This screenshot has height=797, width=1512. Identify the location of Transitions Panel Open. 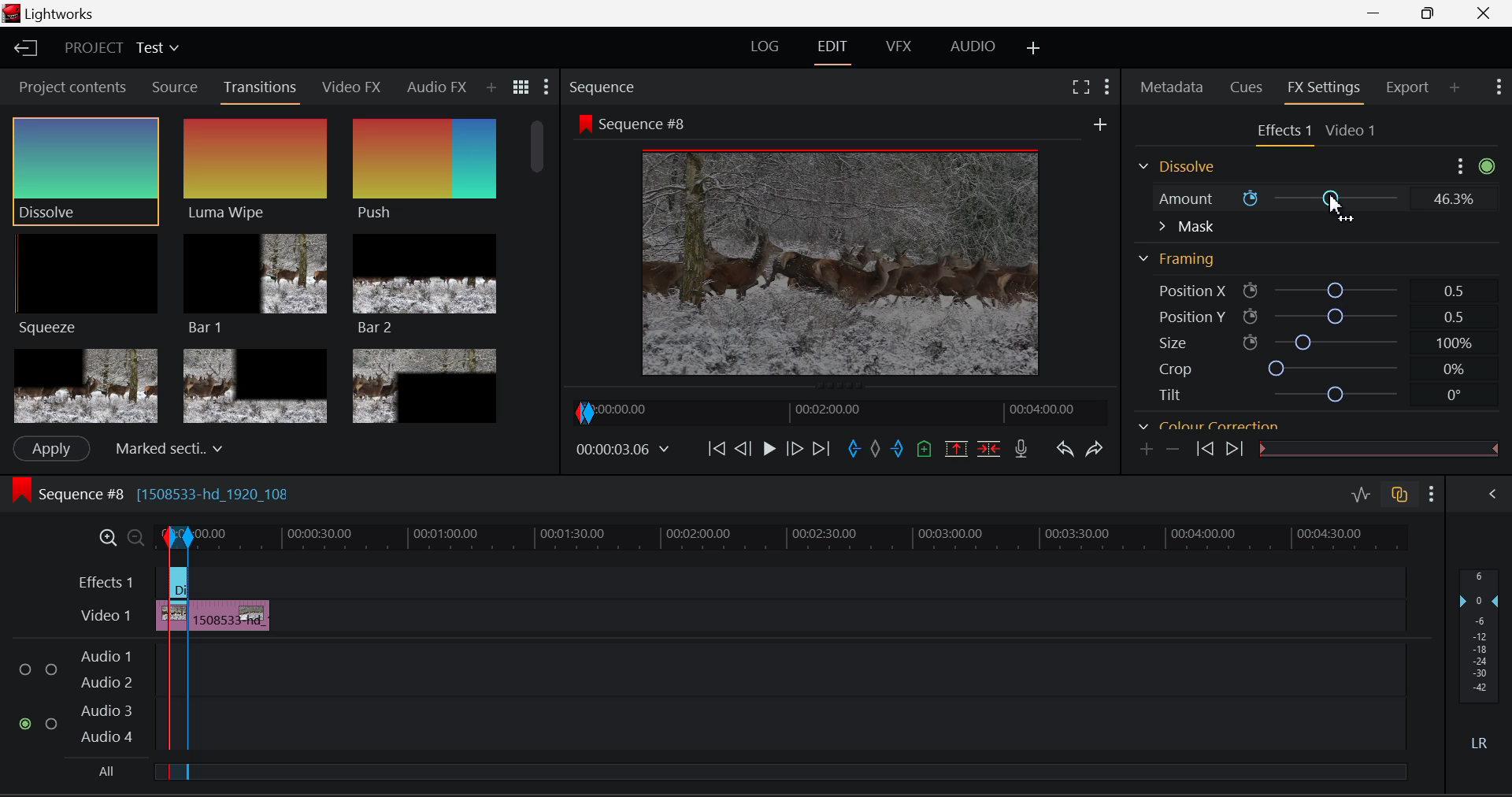
(261, 91).